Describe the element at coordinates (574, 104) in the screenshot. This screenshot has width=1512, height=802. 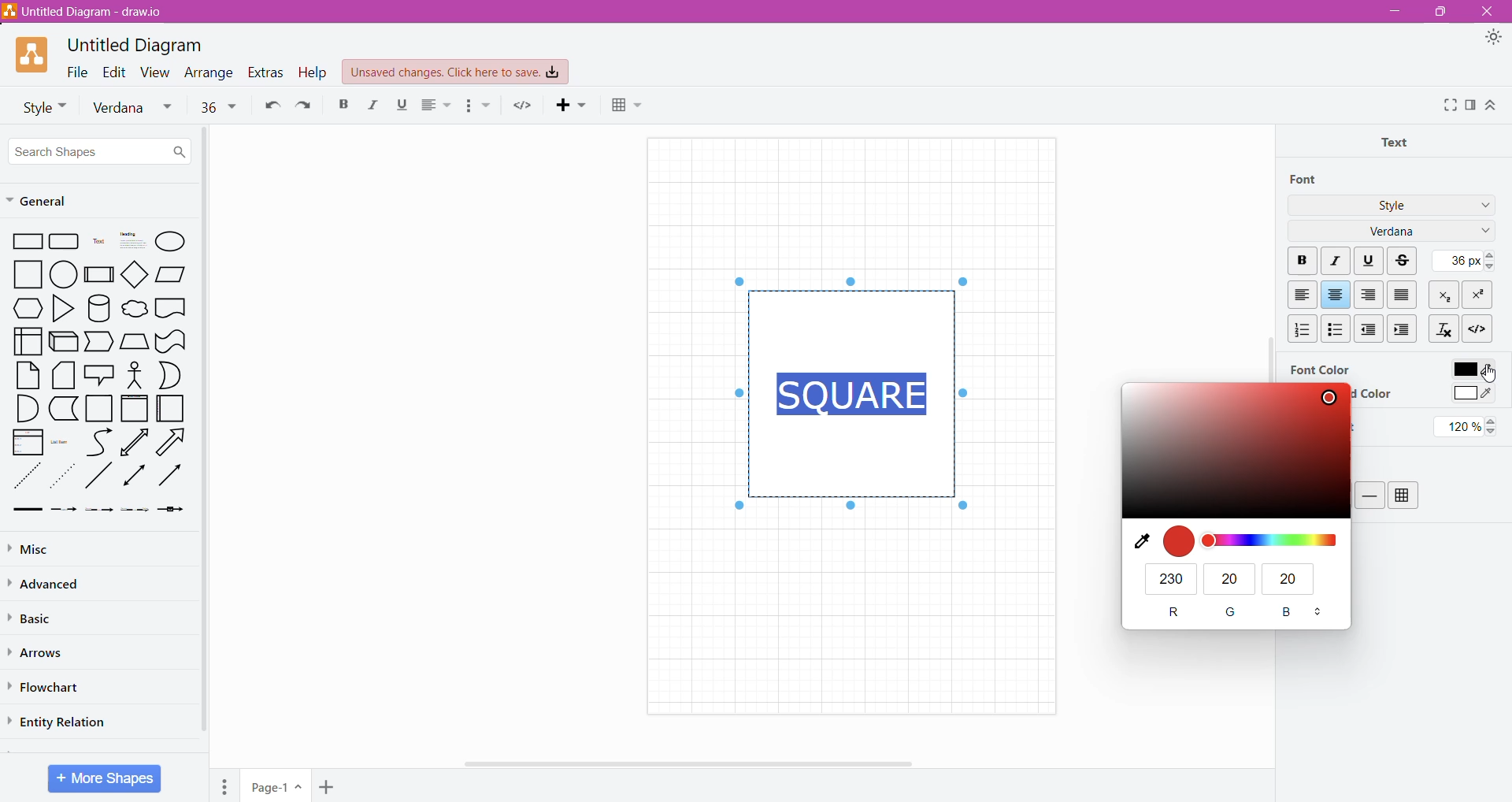
I see `Insert` at that location.